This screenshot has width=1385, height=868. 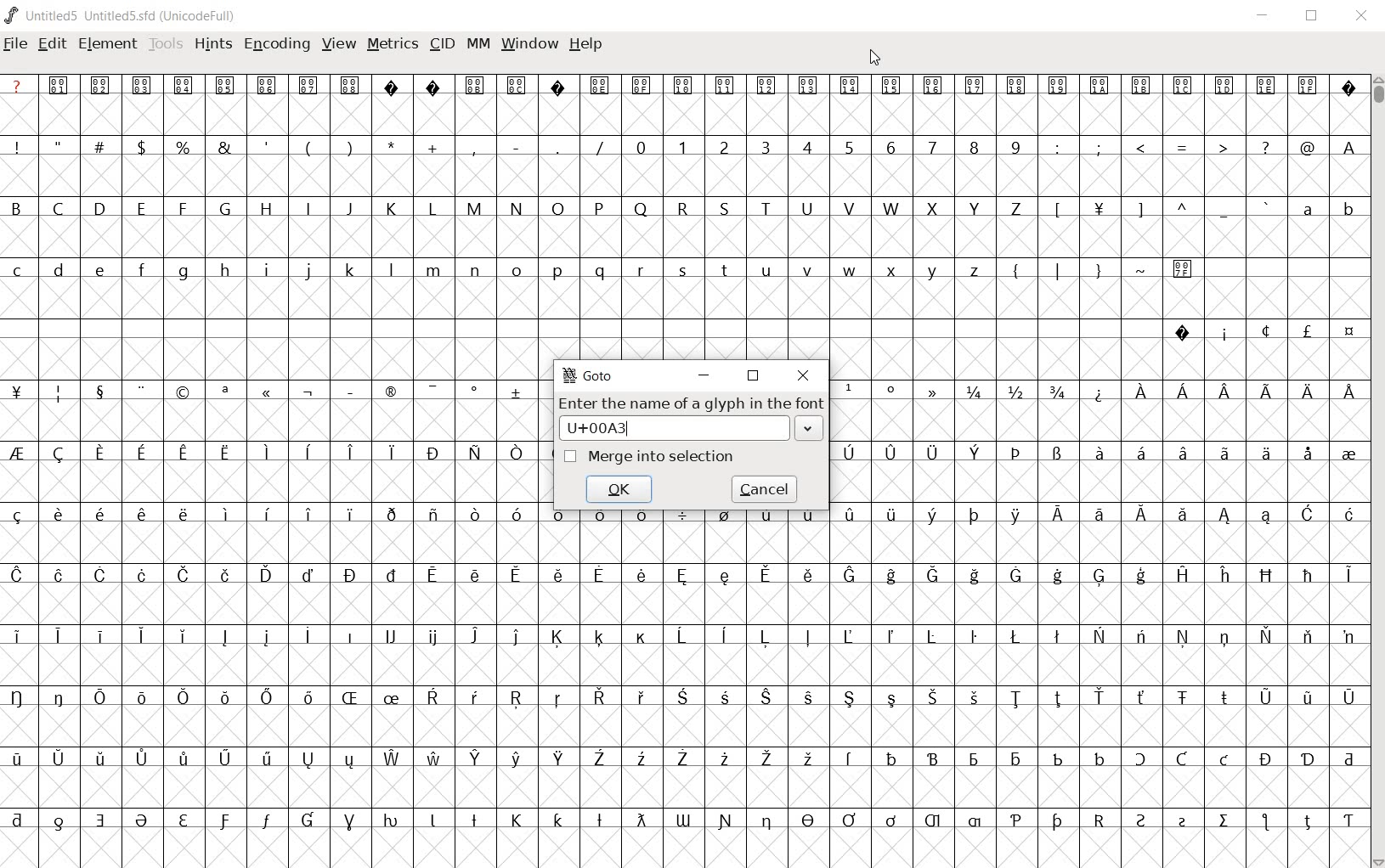 What do you see at coordinates (1349, 576) in the screenshot?
I see `Symbol` at bounding box center [1349, 576].